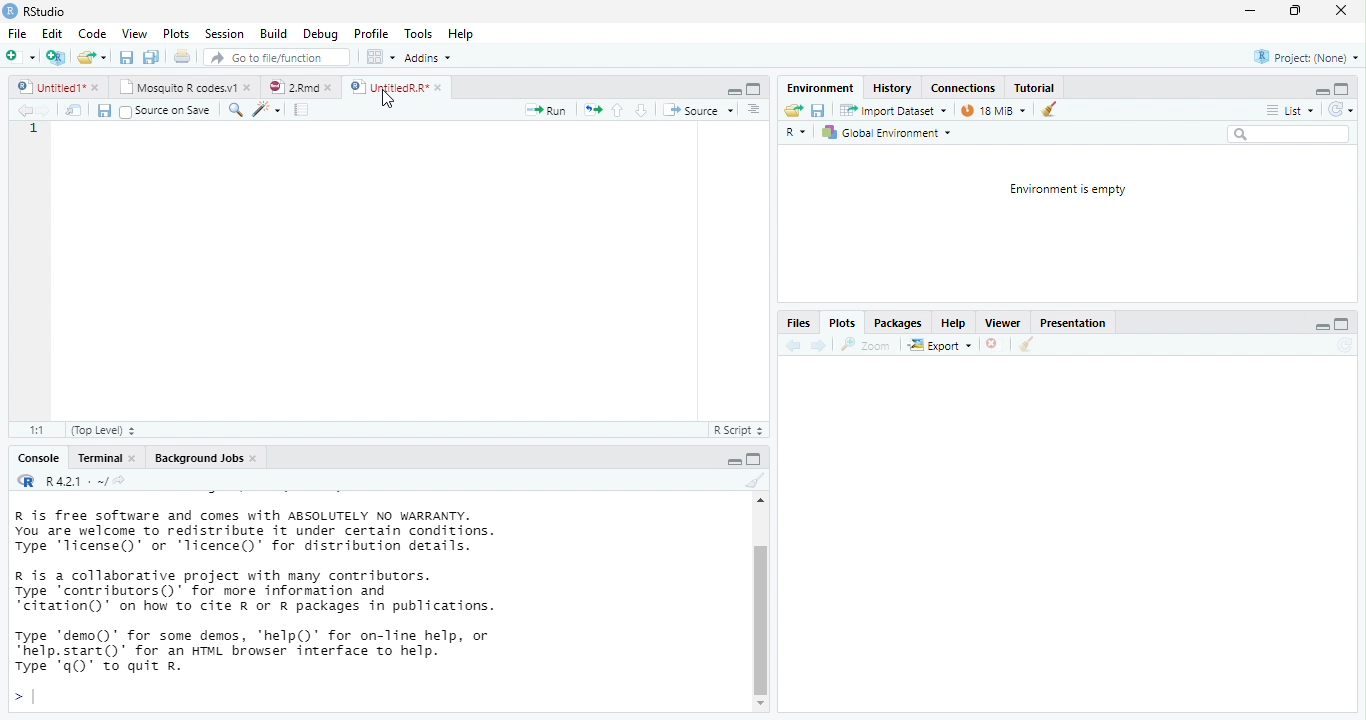  Describe the element at coordinates (1340, 325) in the screenshot. I see `maximize` at that location.